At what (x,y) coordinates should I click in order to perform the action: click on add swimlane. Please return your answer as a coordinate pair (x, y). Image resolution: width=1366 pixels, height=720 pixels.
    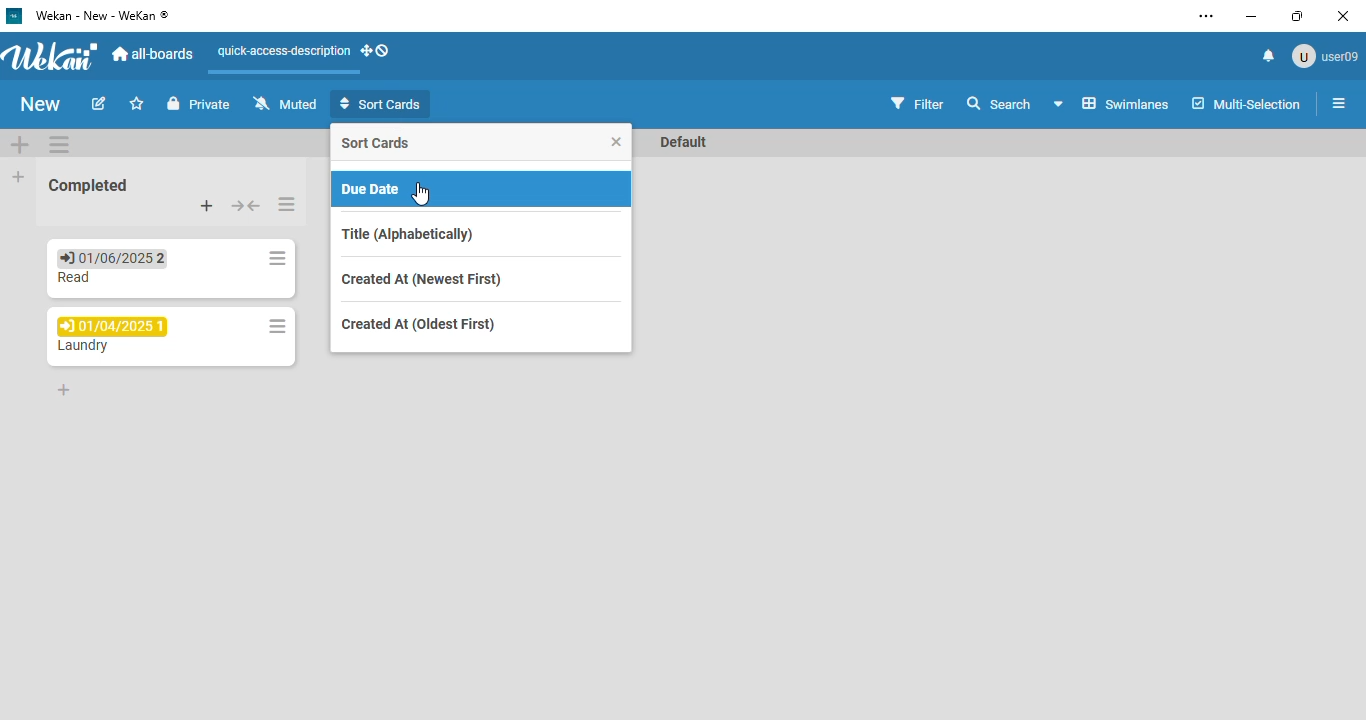
    Looking at the image, I should click on (20, 143).